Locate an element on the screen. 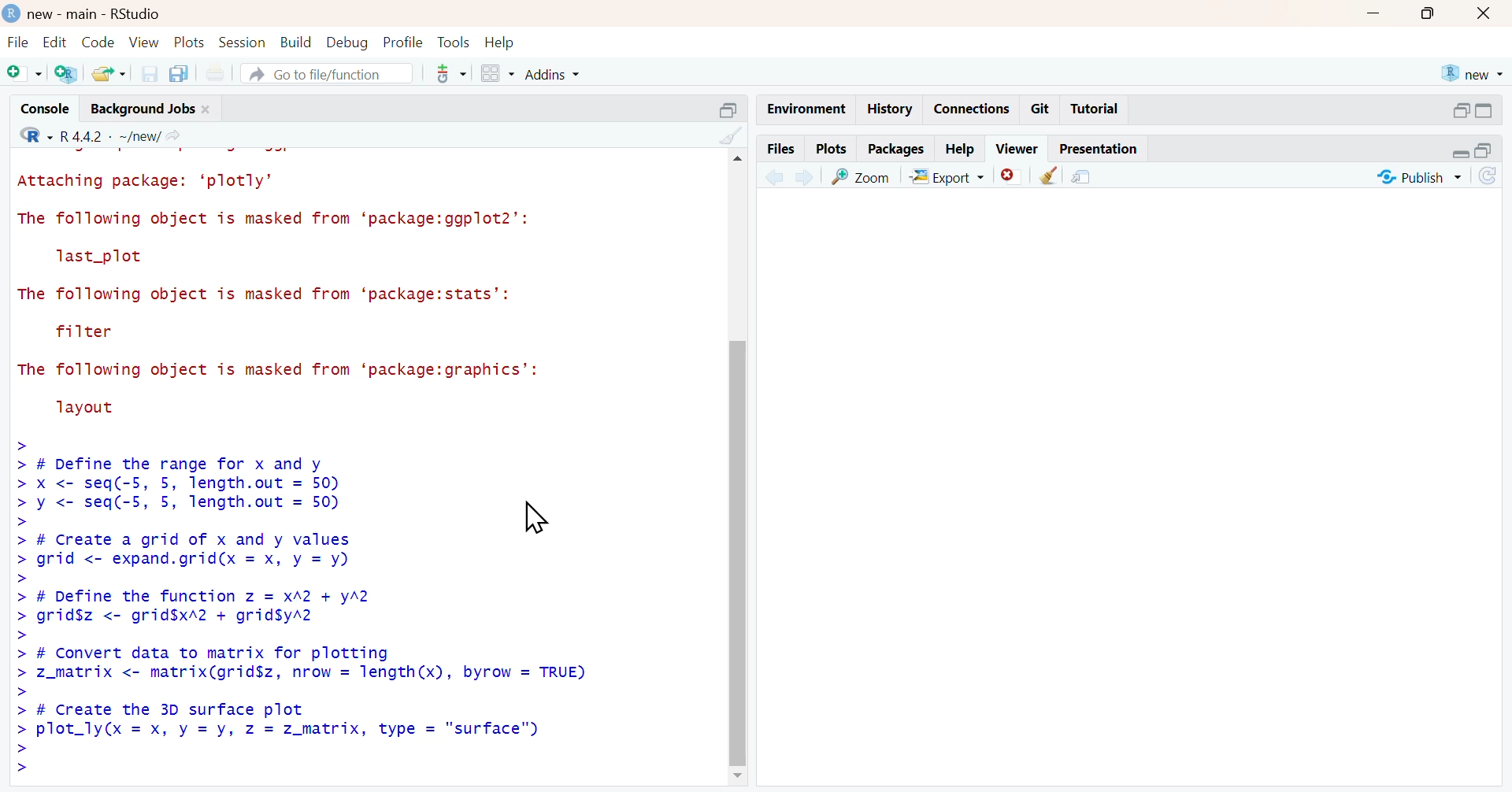  clear all plots is located at coordinates (1051, 176).